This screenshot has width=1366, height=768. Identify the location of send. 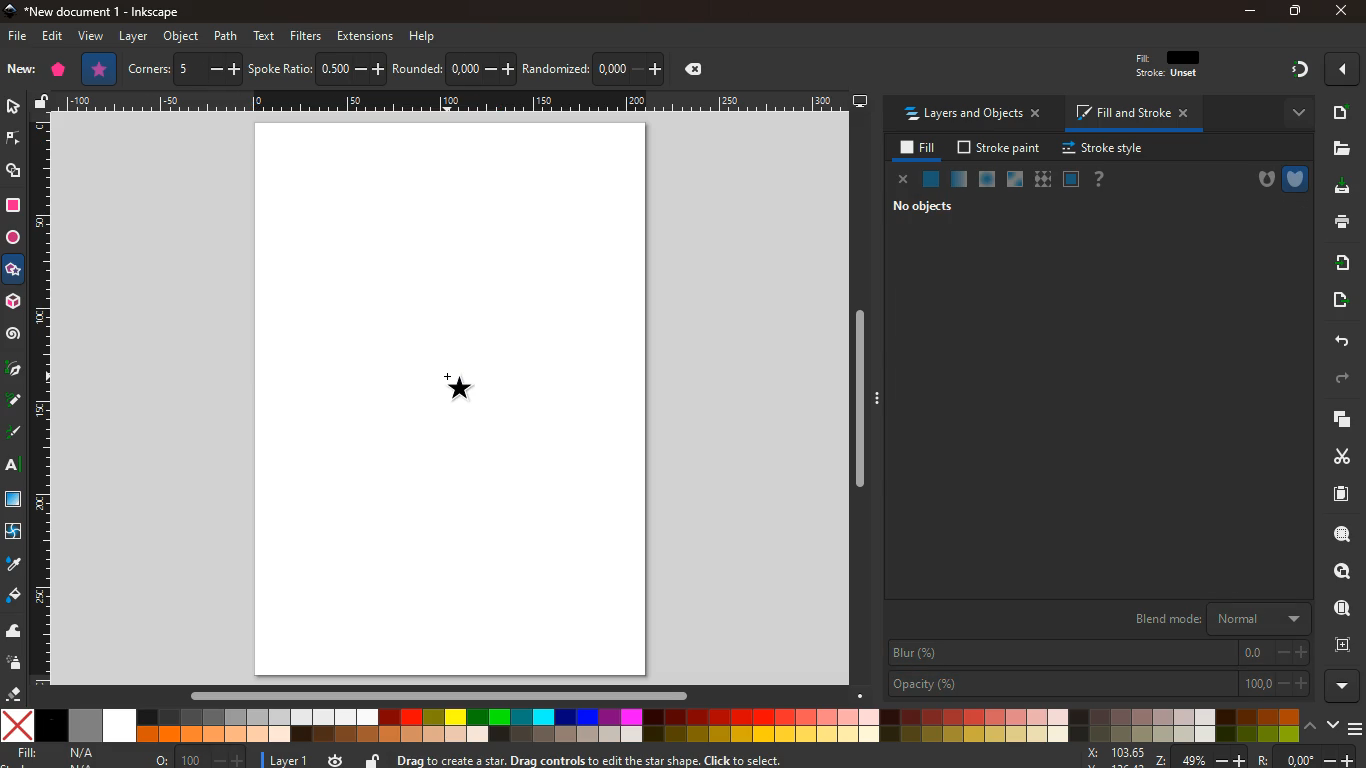
(1341, 263).